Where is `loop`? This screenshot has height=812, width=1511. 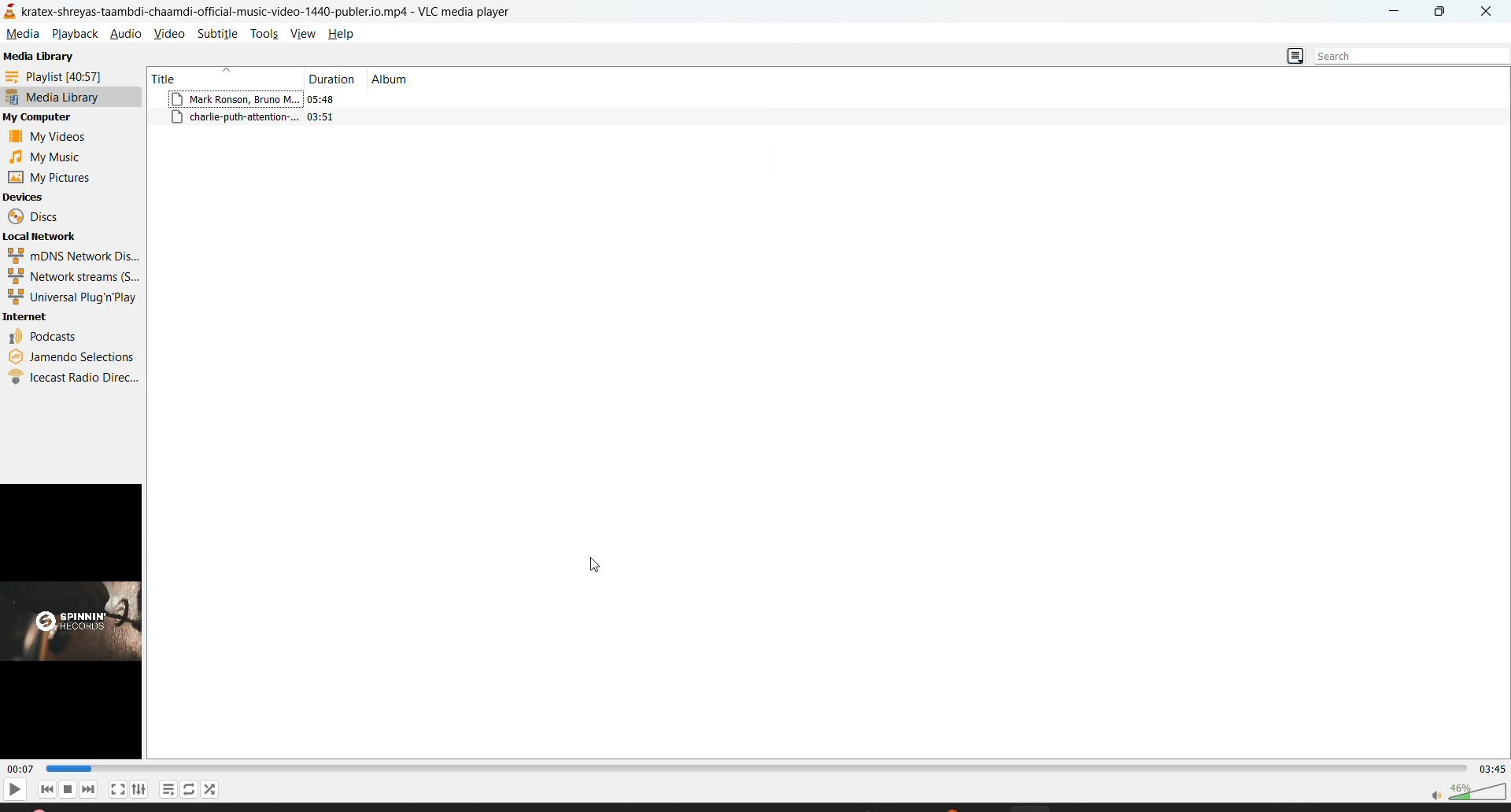
loop is located at coordinates (187, 788).